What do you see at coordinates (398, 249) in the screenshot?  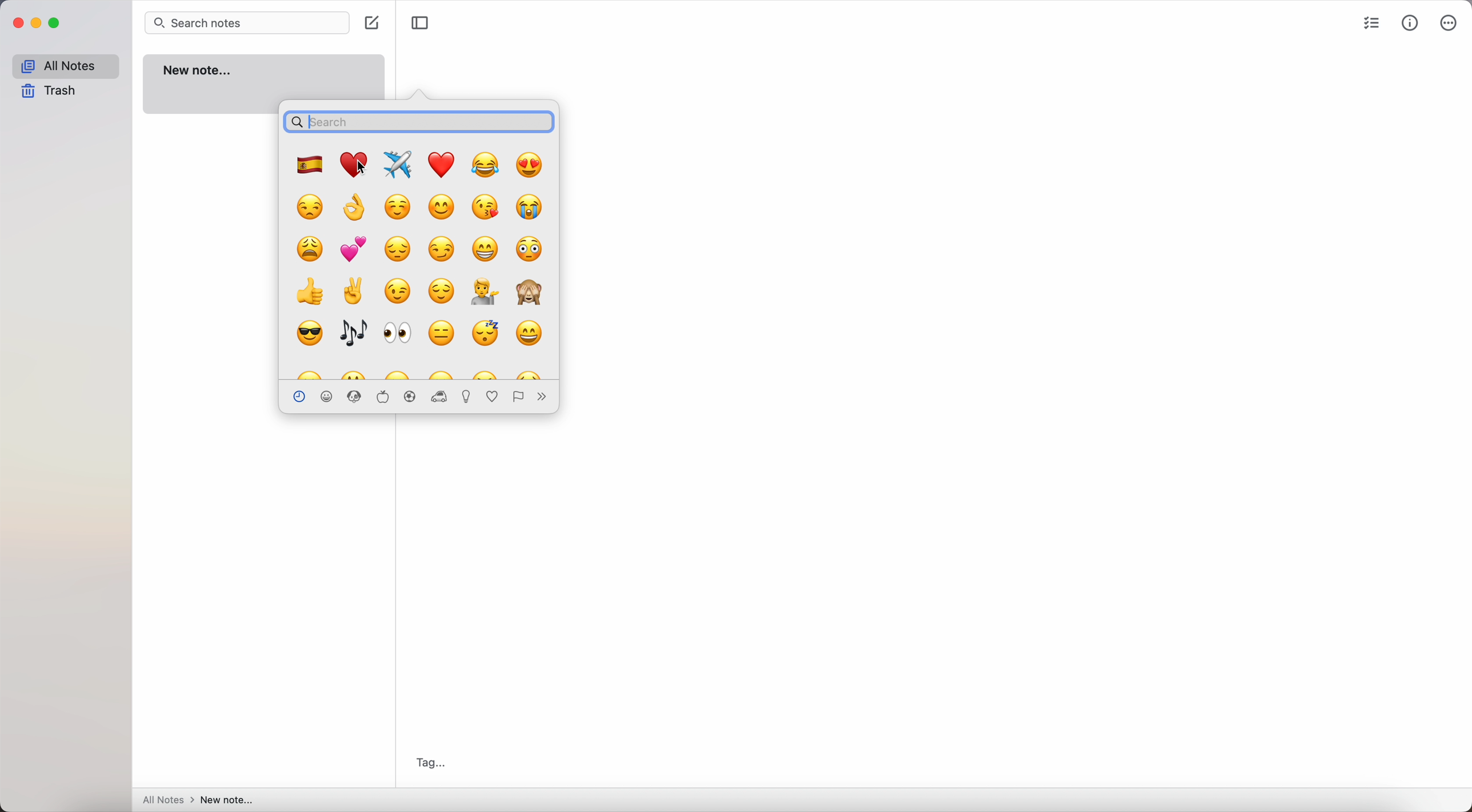 I see `emoji` at bounding box center [398, 249].